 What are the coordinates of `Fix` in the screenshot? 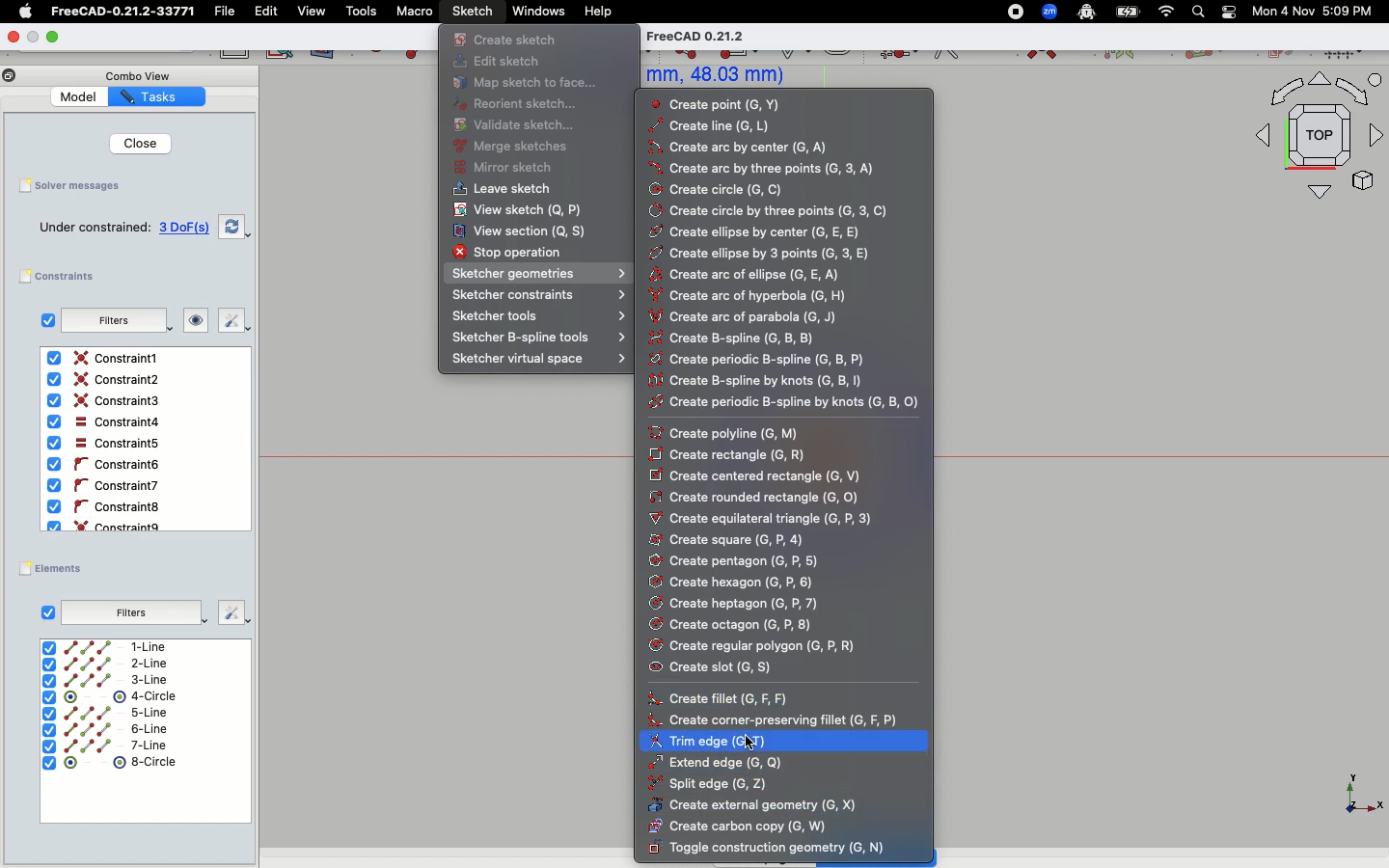 It's located at (231, 321).